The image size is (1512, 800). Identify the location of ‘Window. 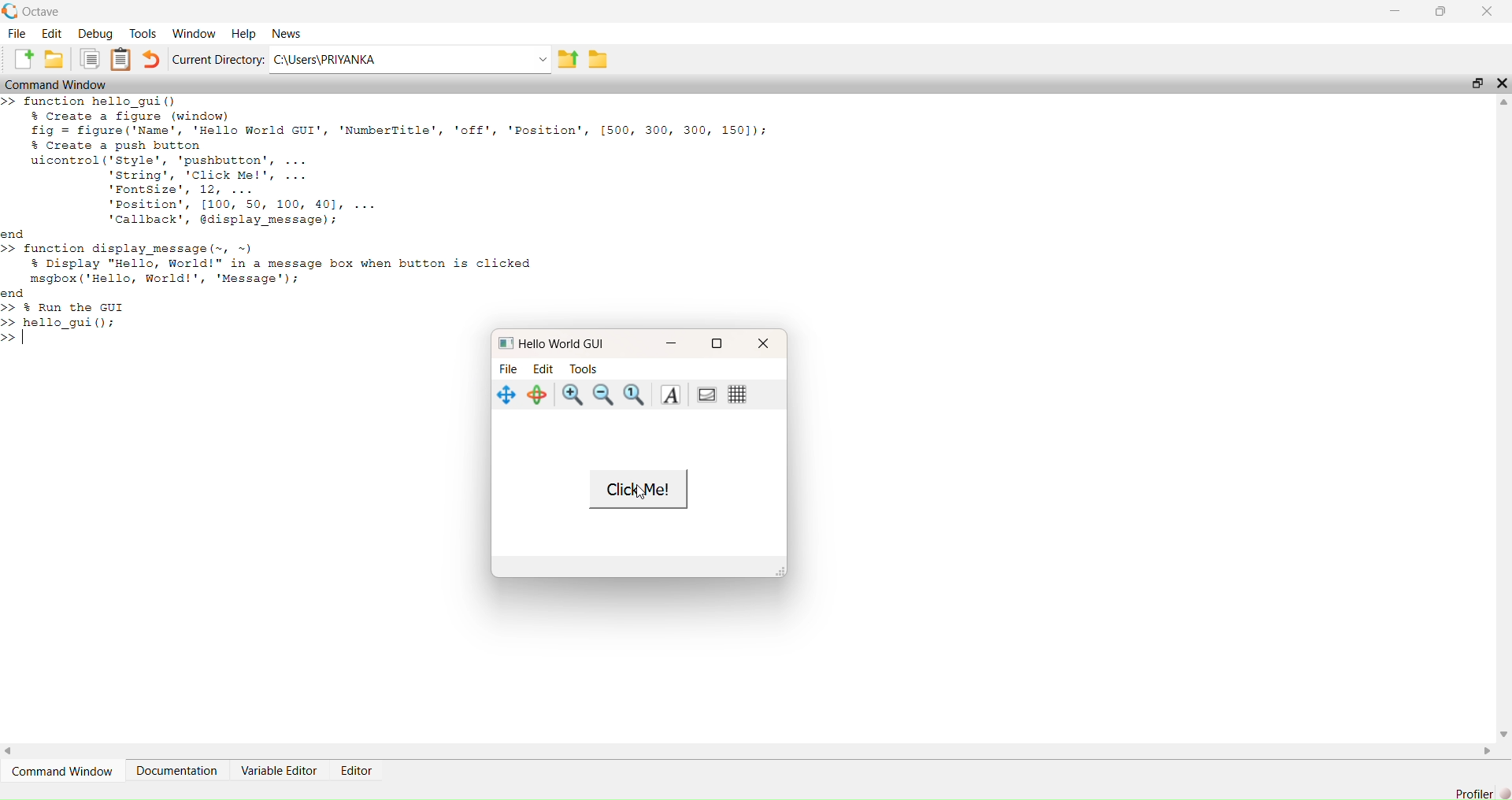
(193, 30).